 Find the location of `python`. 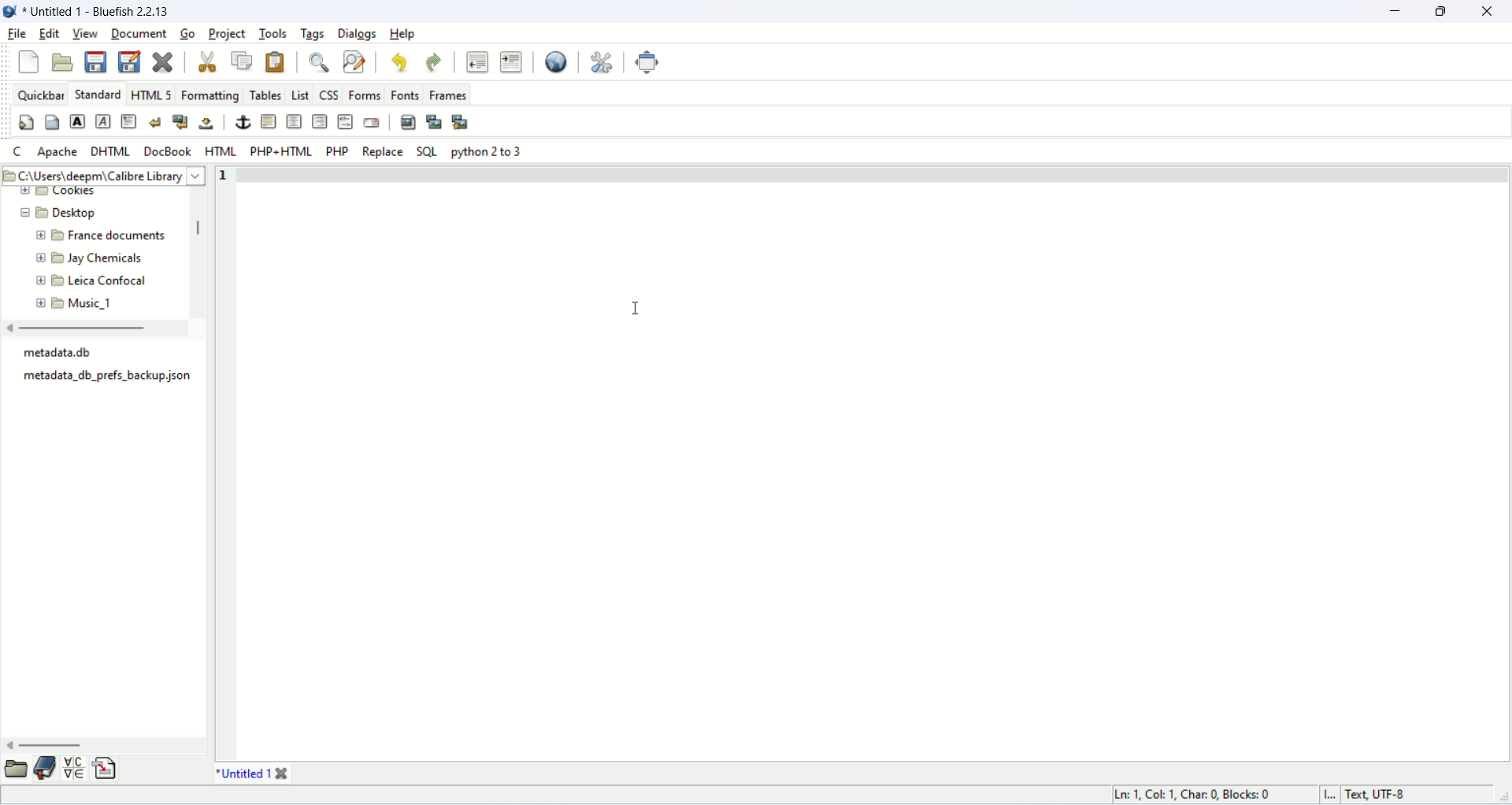

python is located at coordinates (485, 151).